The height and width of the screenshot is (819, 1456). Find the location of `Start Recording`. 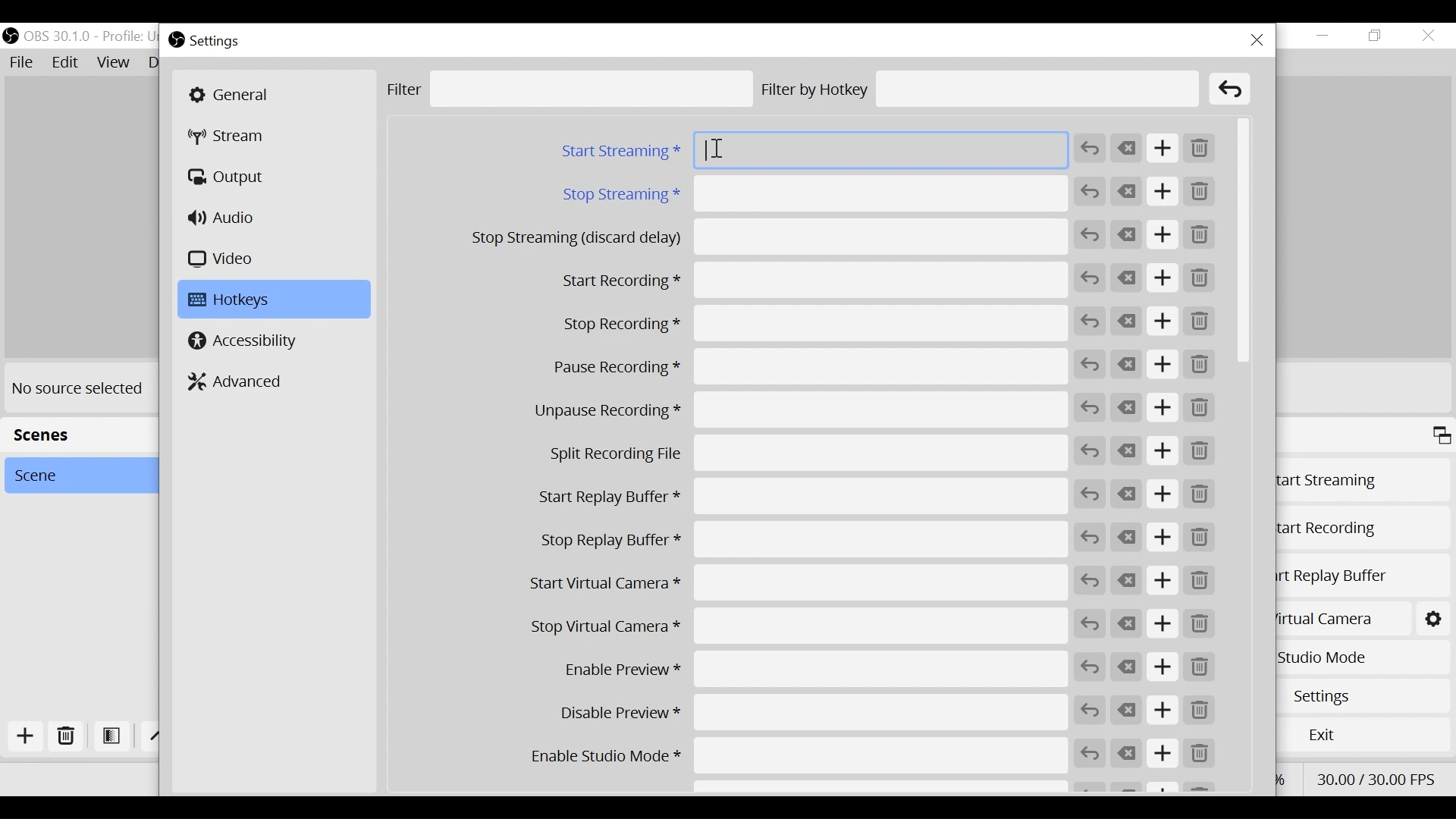

Start Recording is located at coordinates (1361, 529).